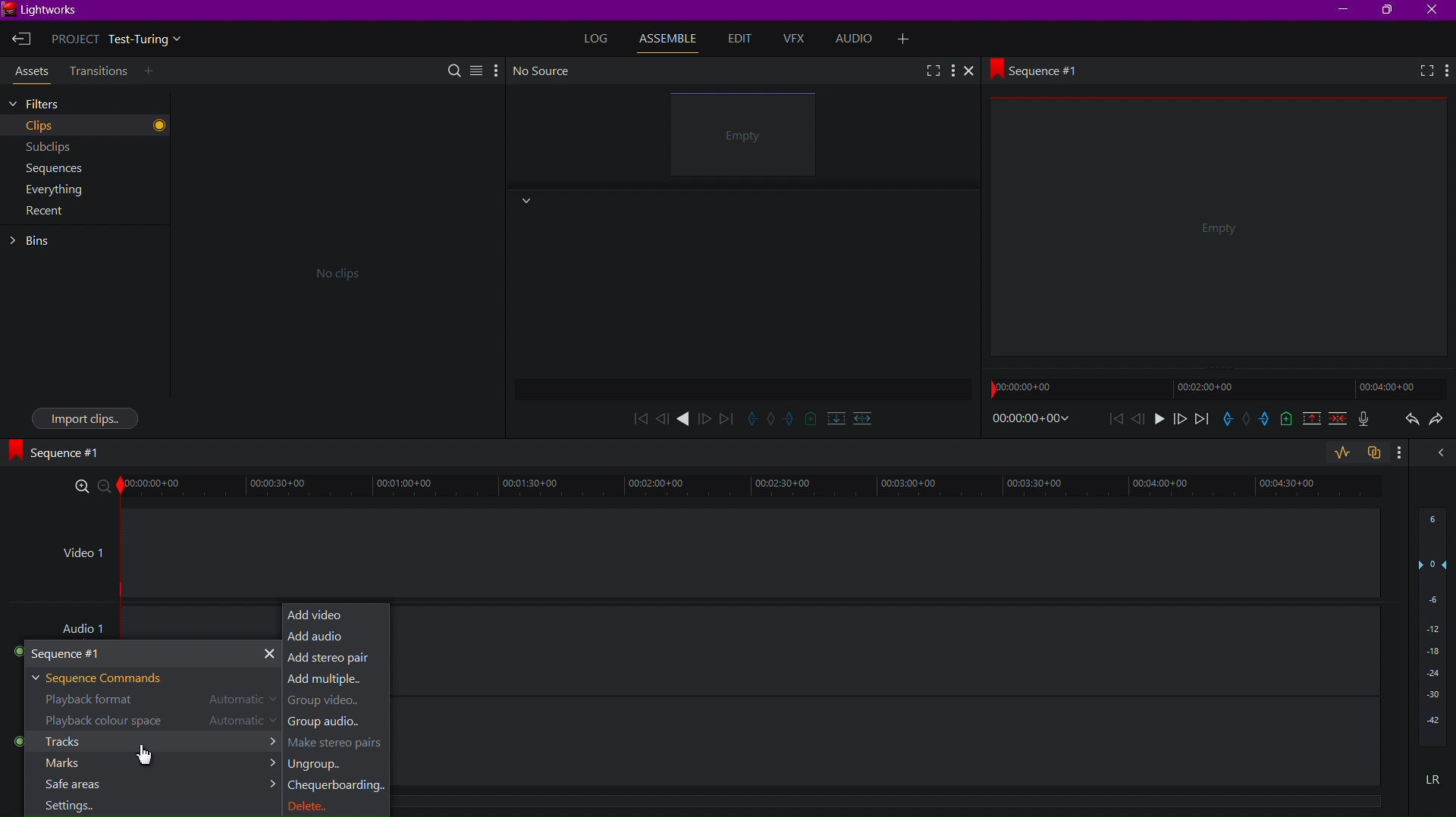 The width and height of the screenshot is (1456, 817). I want to click on Minimize, so click(1345, 10).